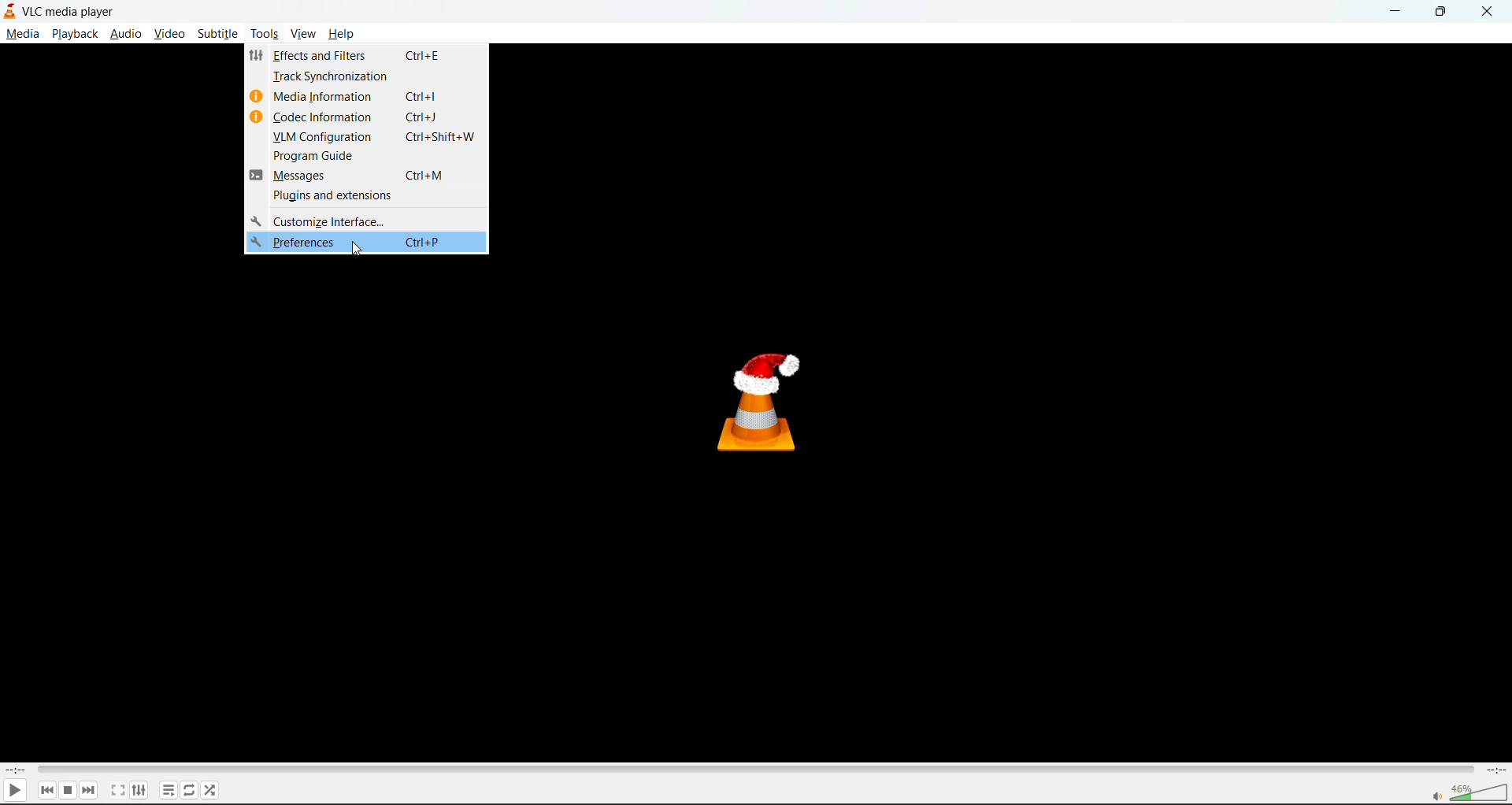 This screenshot has height=805, width=1512. I want to click on minimize, so click(1393, 12).